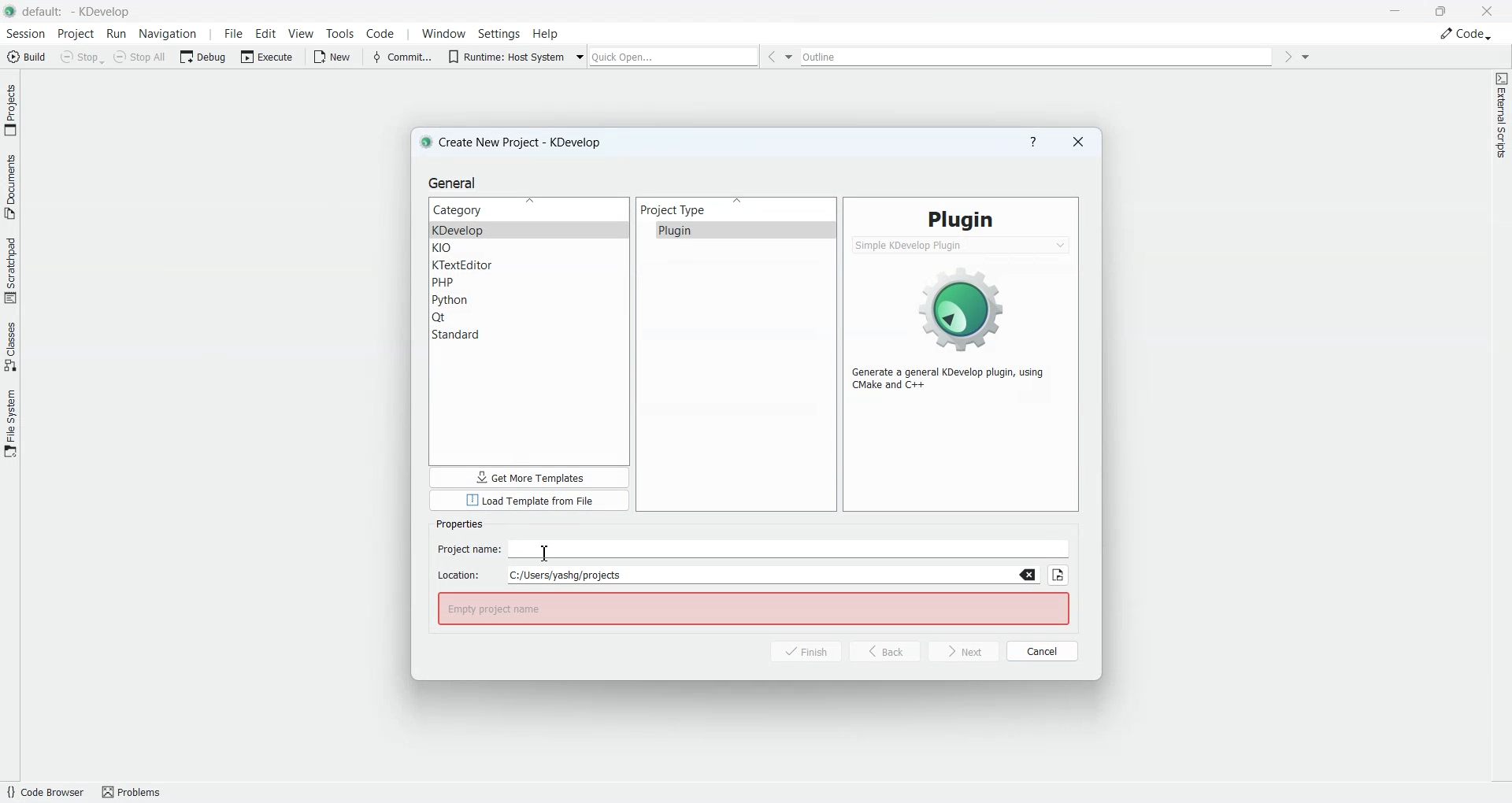  I want to click on Minimize, so click(1397, 11).